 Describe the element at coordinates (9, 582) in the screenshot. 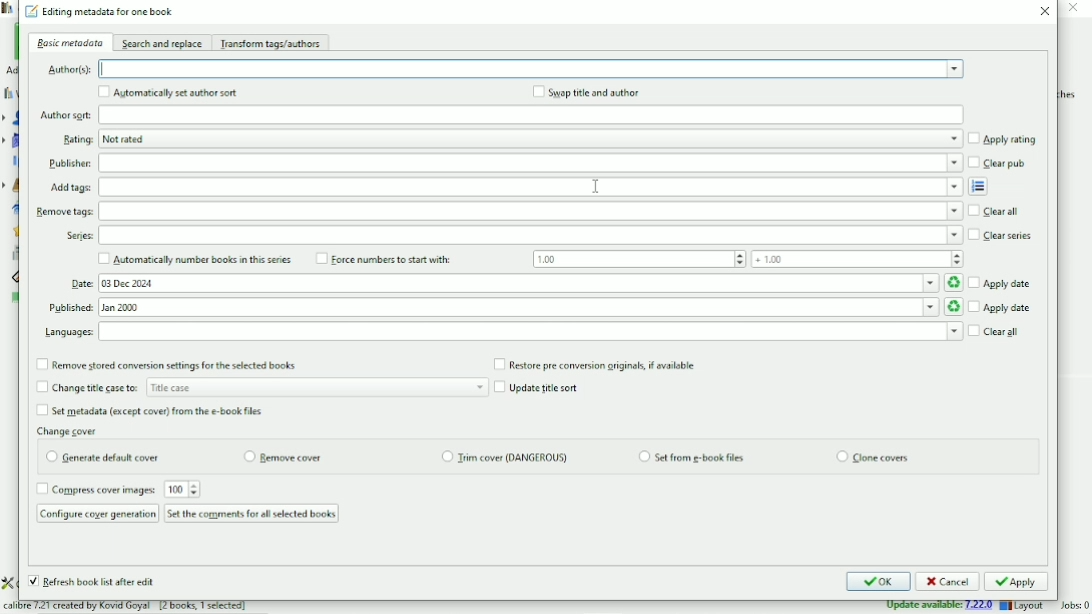

I see `configure` at that location.